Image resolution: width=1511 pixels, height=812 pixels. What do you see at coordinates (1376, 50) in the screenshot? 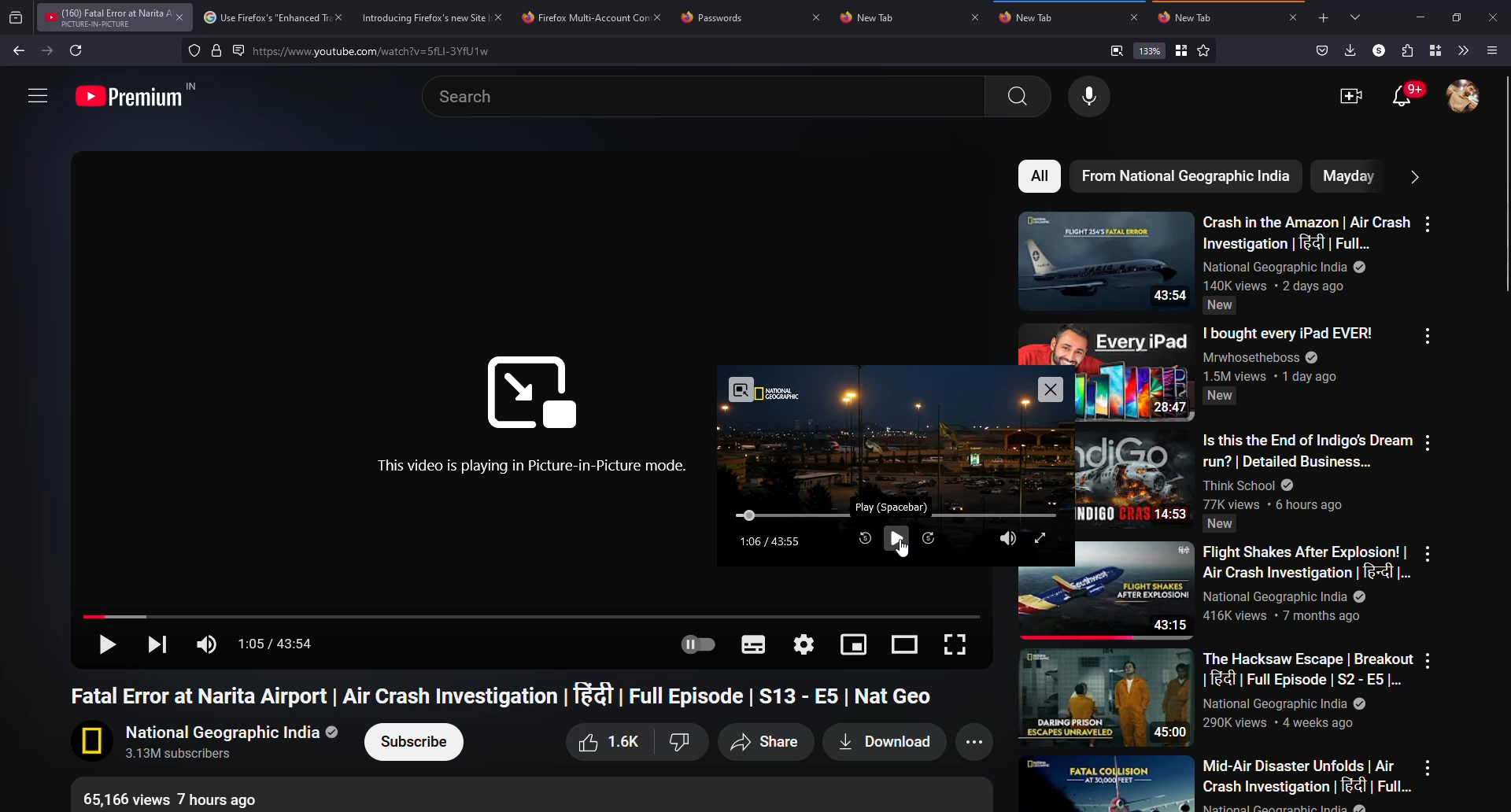
I see `profile` at bounding box center [1376, 50].